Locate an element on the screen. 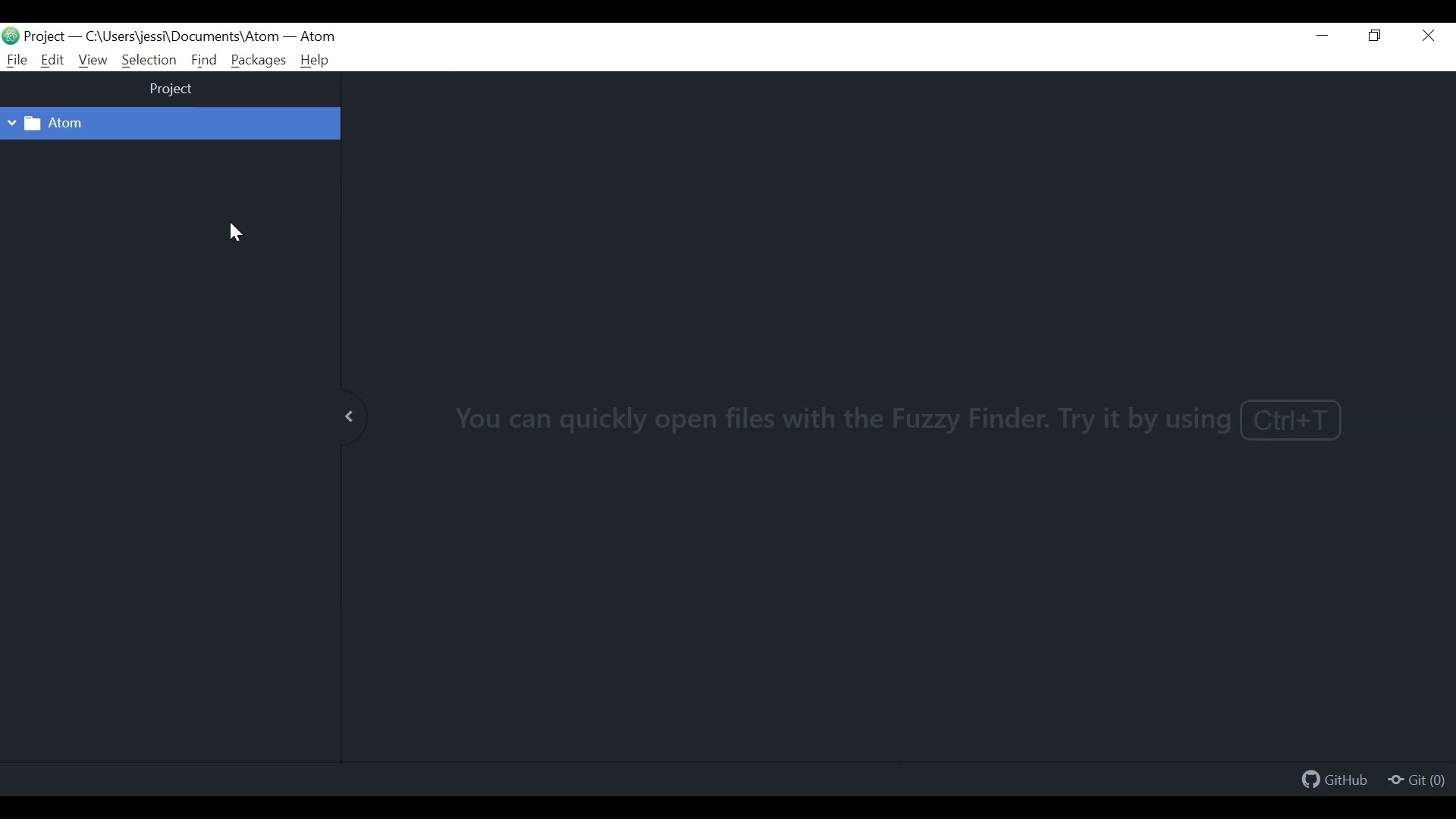  Project Folder is located at coordinates (154, 124).